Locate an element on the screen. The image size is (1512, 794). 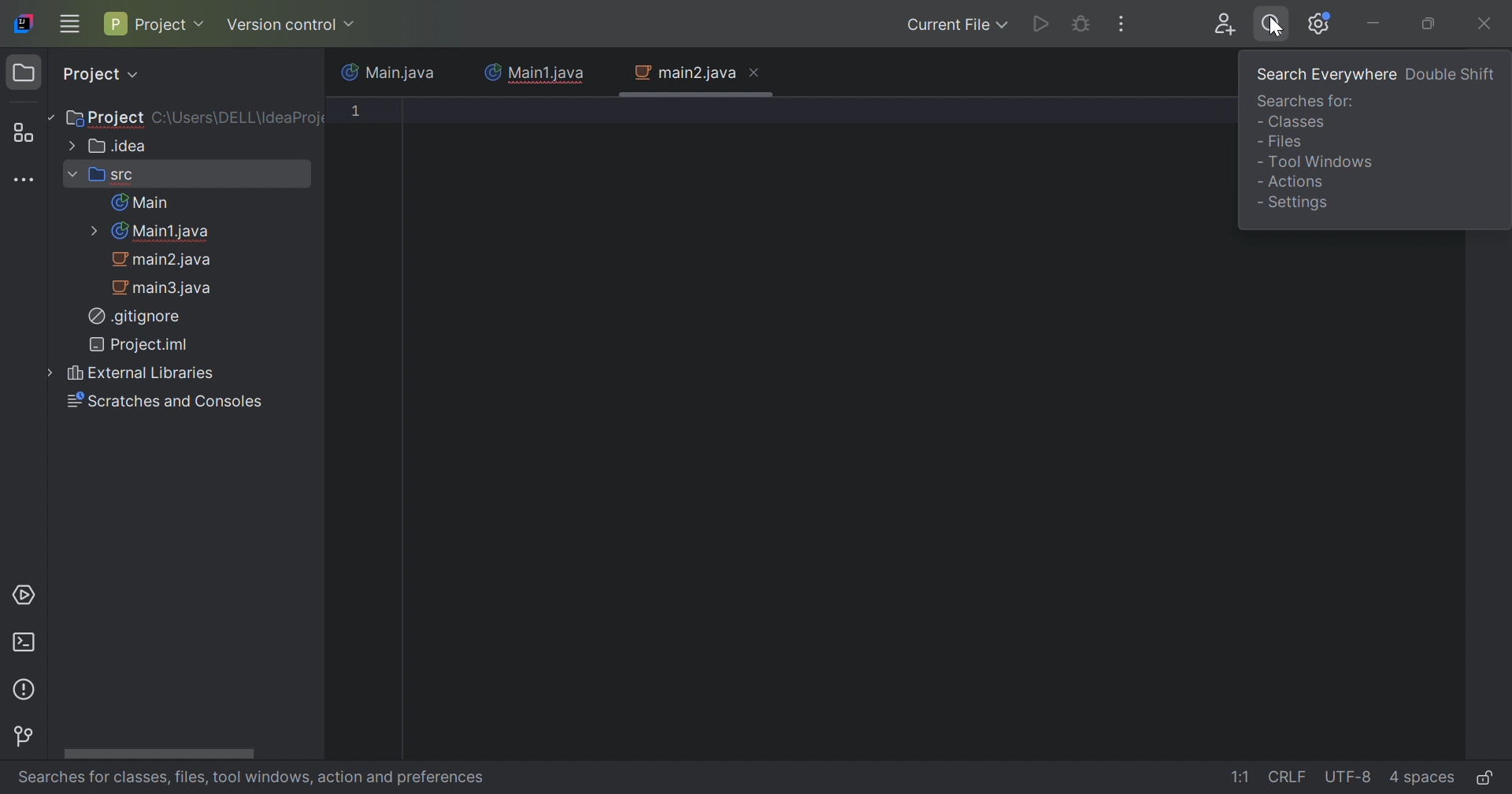
Scratches and Consoles is located at coordinates (161, 399).